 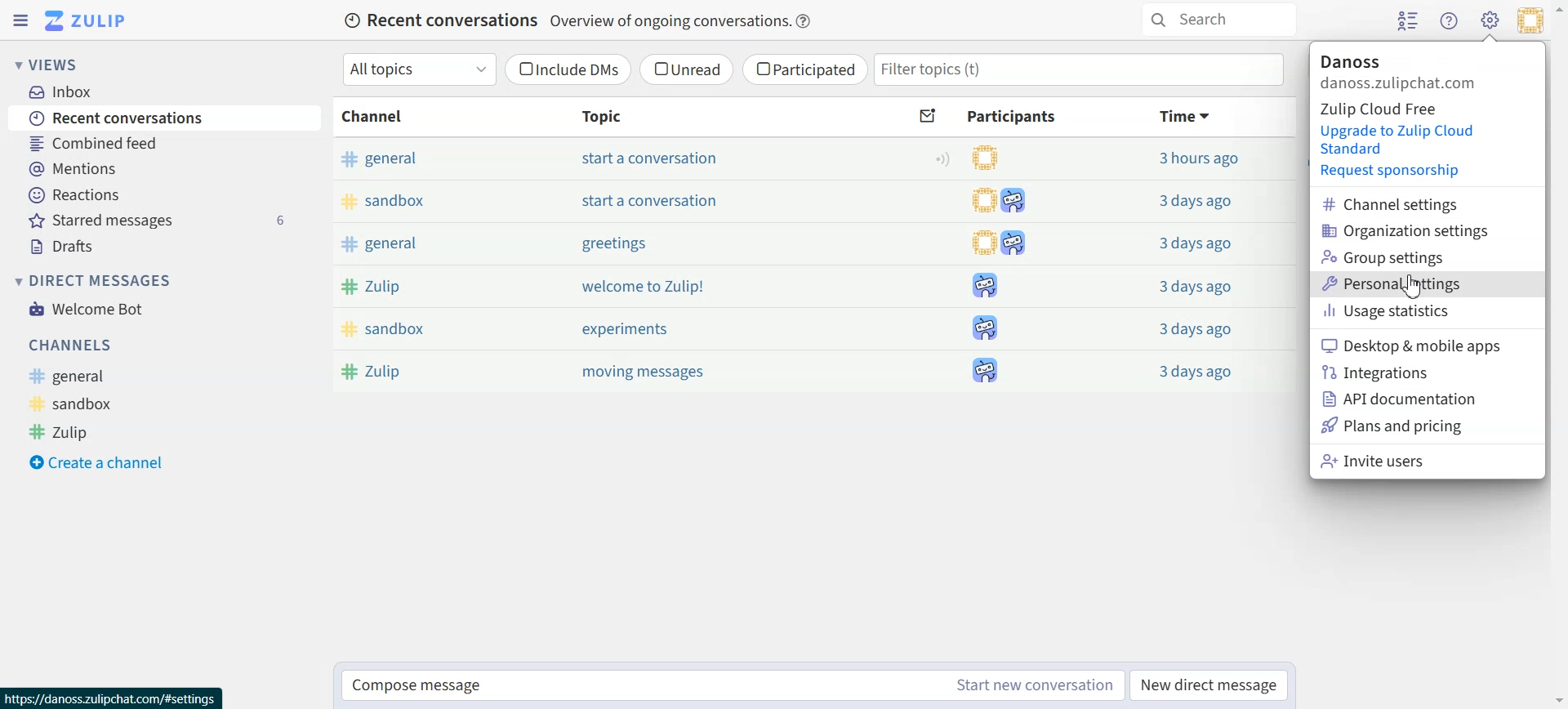 What do you see at coordinates (987, 330) in the screenshot?
I see `participants` at bounding box center [987, 330].